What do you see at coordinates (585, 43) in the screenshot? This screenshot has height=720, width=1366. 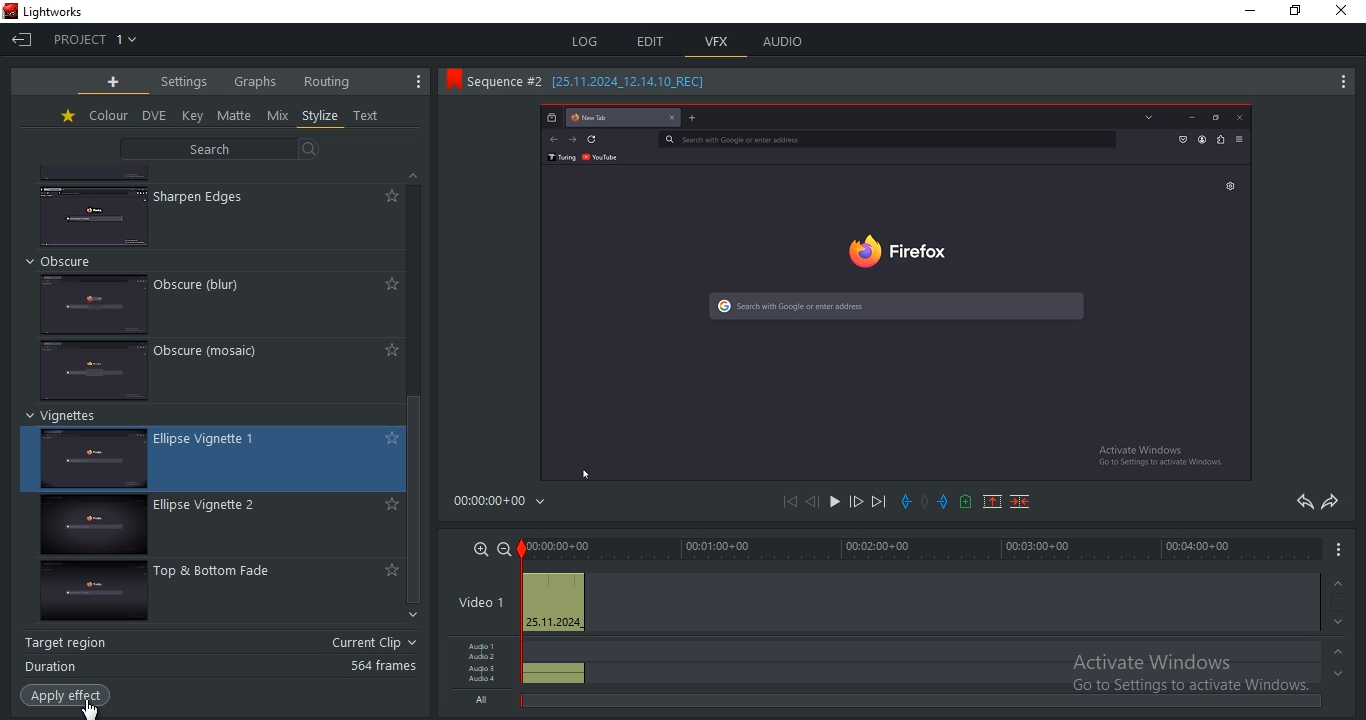 I see `log` at bounding box center [585, 43].